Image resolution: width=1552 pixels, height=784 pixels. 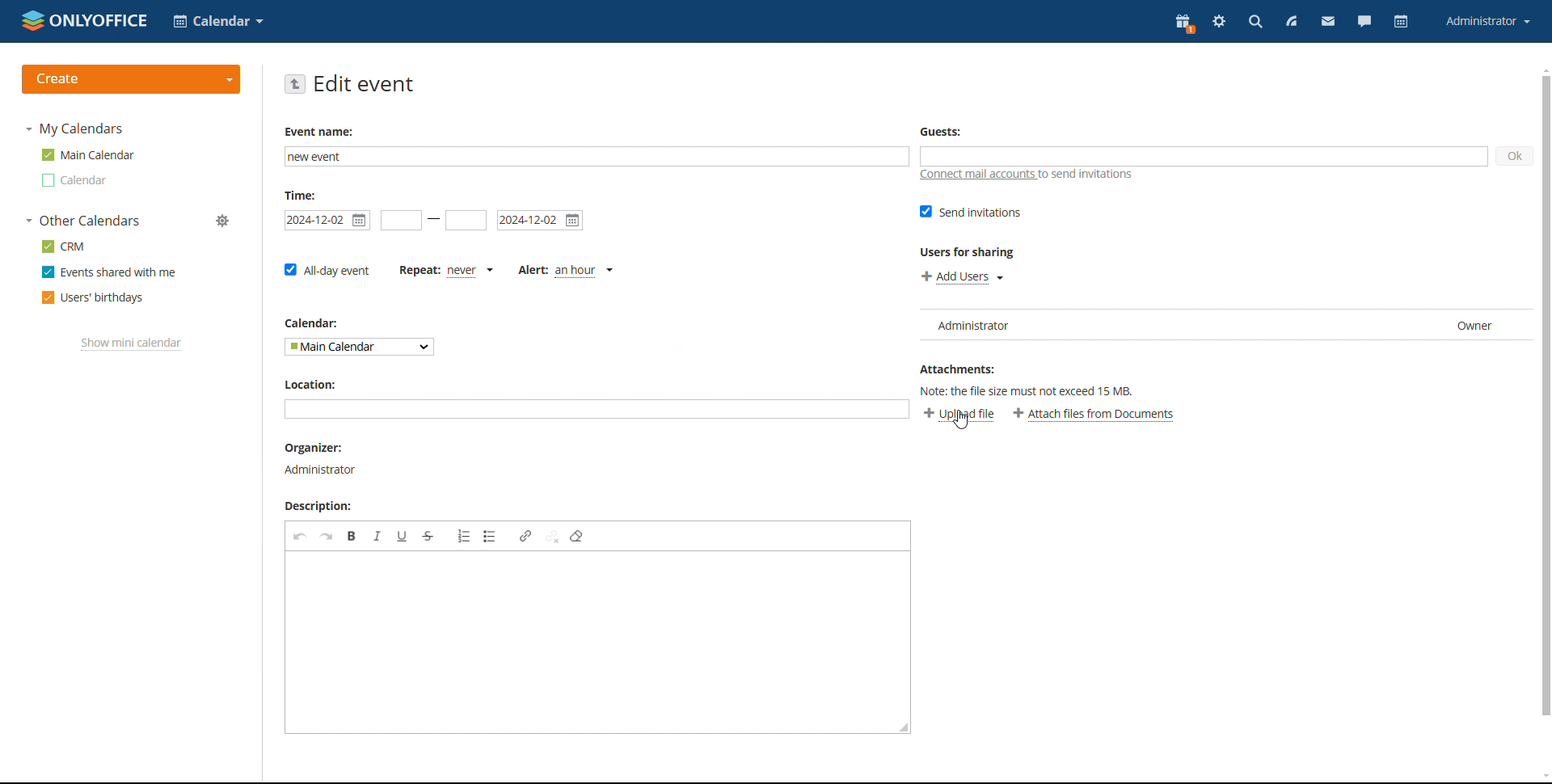 I want to click on attach files from documents, so click(x=1094, y=415).